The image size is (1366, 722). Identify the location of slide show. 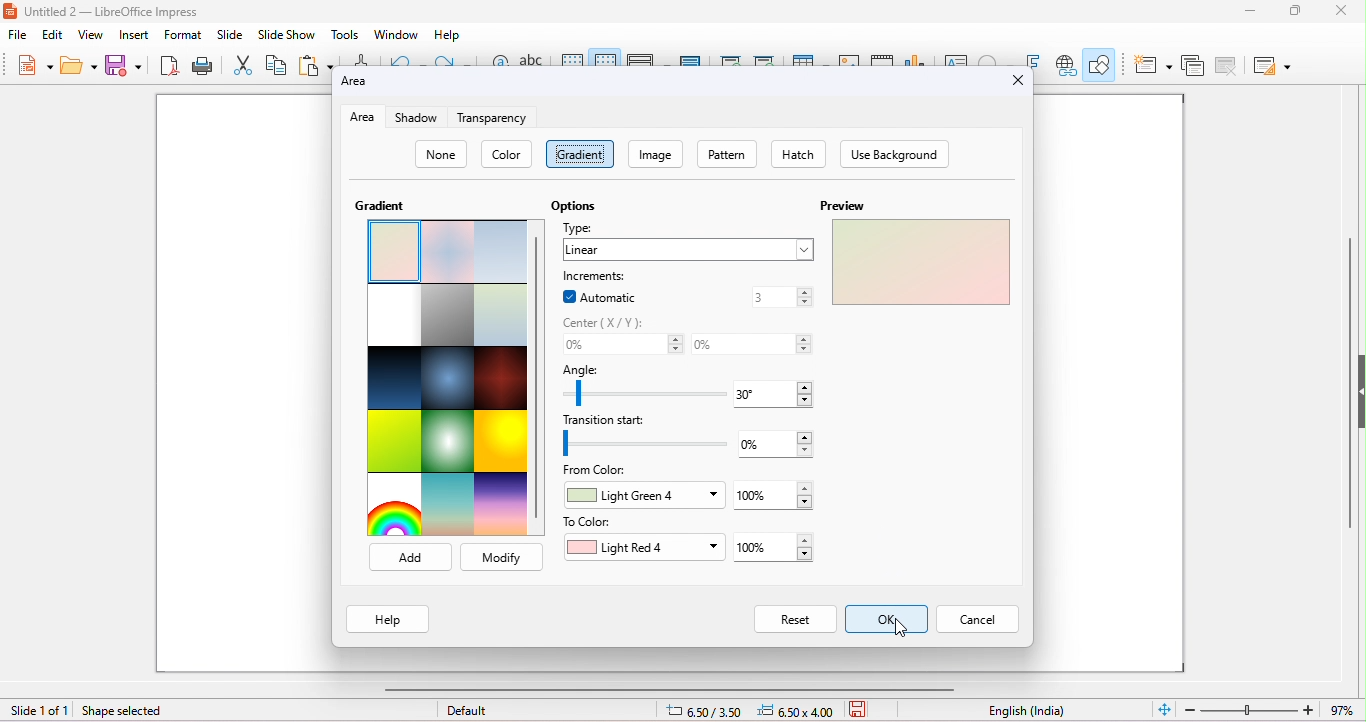
(285, 34).